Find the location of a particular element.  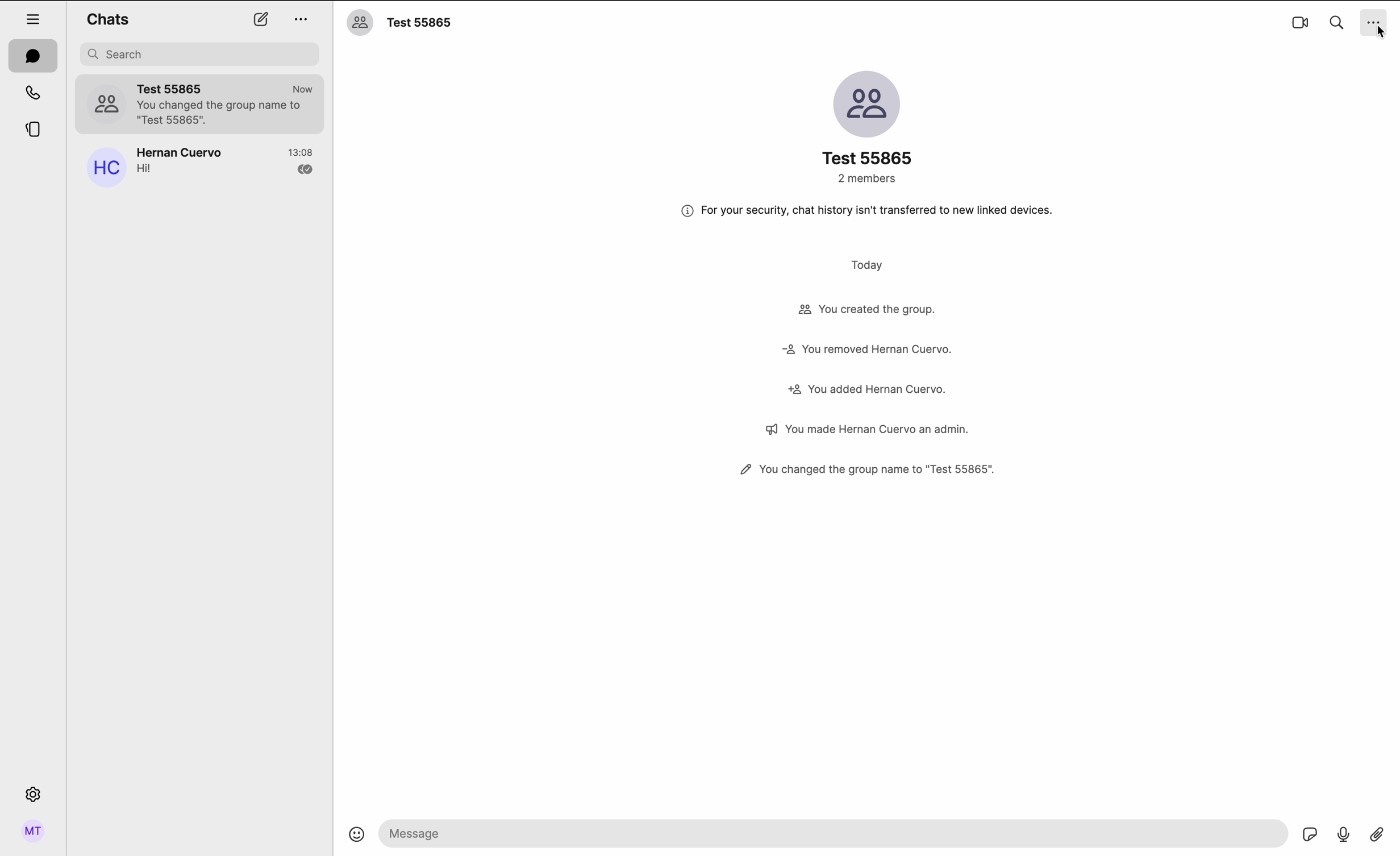

Hernan Cuervo's chat is located at coordinates (227, 165).